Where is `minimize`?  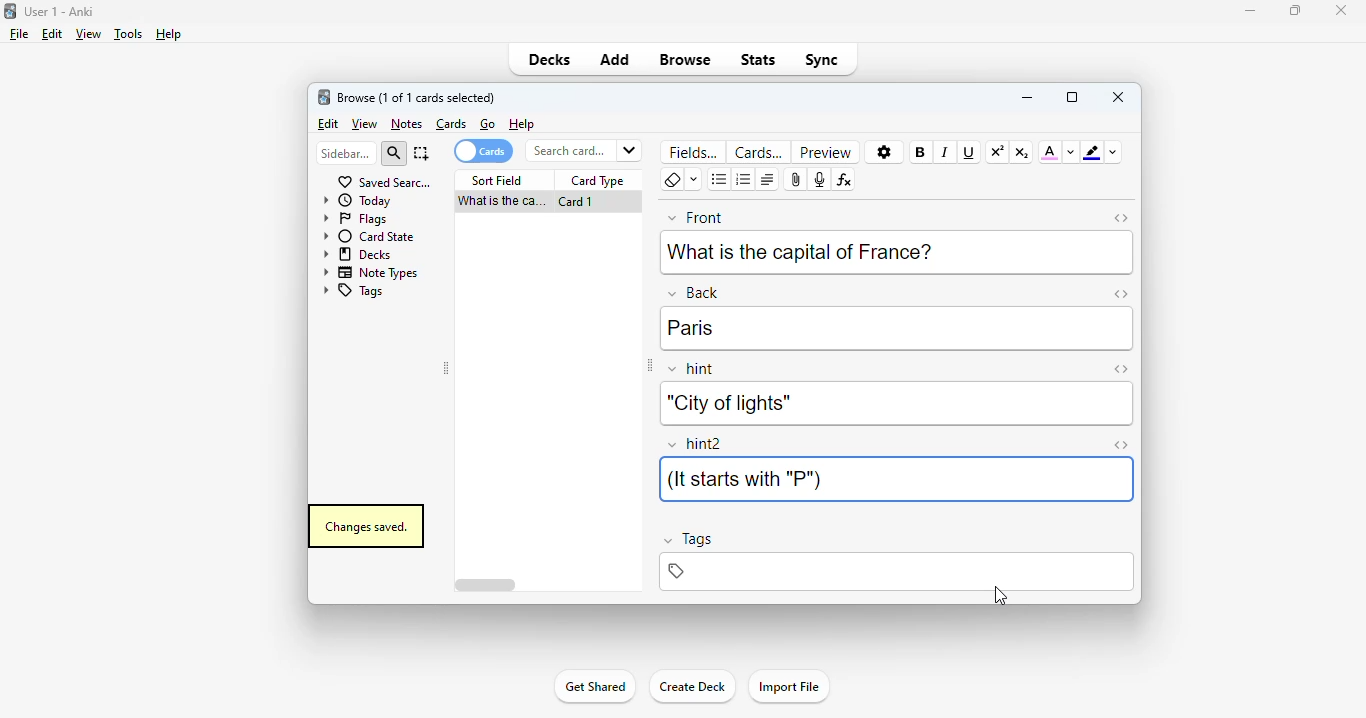
minimize is located at coordinates (1251, 10).